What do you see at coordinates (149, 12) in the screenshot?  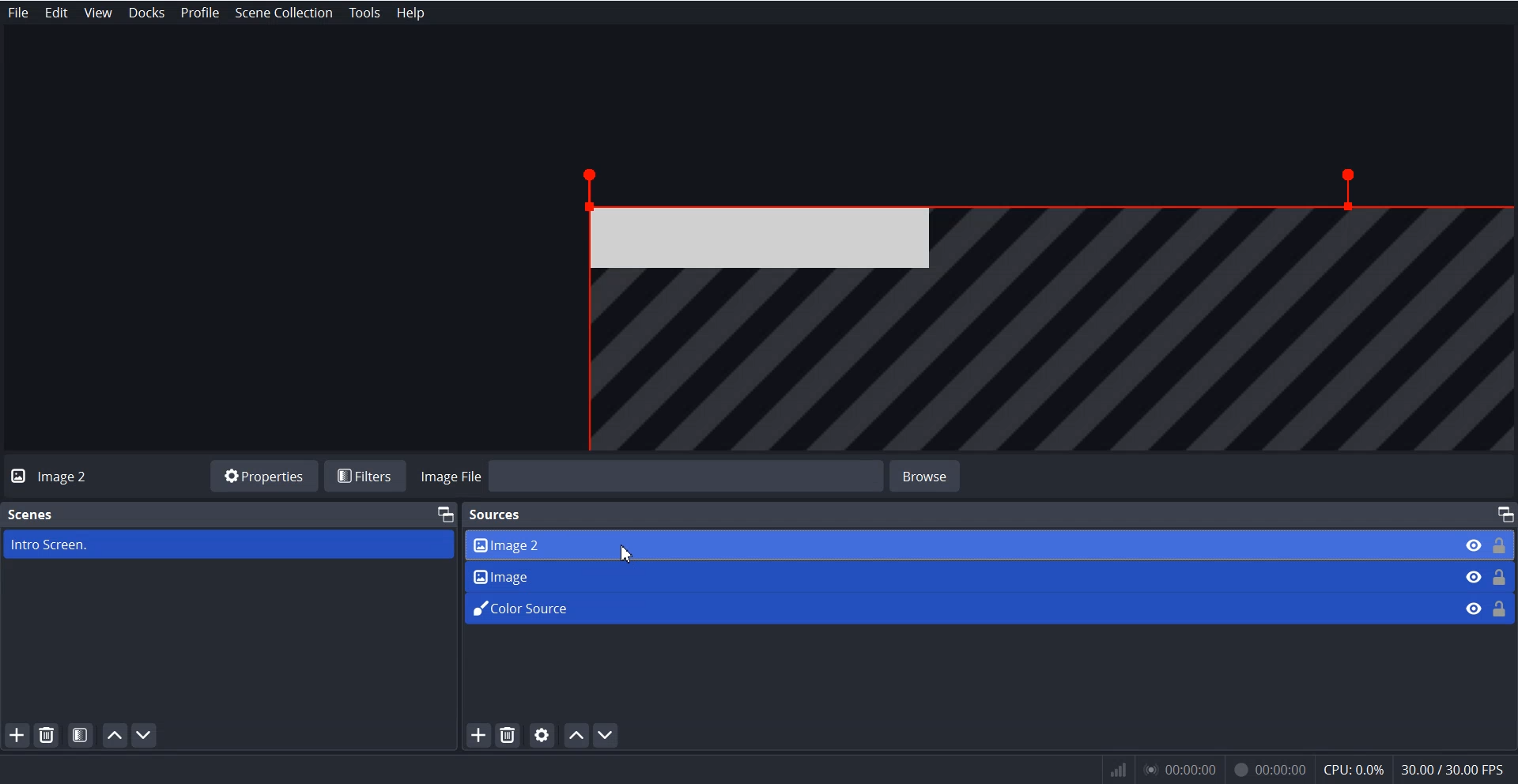 I see `Docks` at bounding box center [149, 12].